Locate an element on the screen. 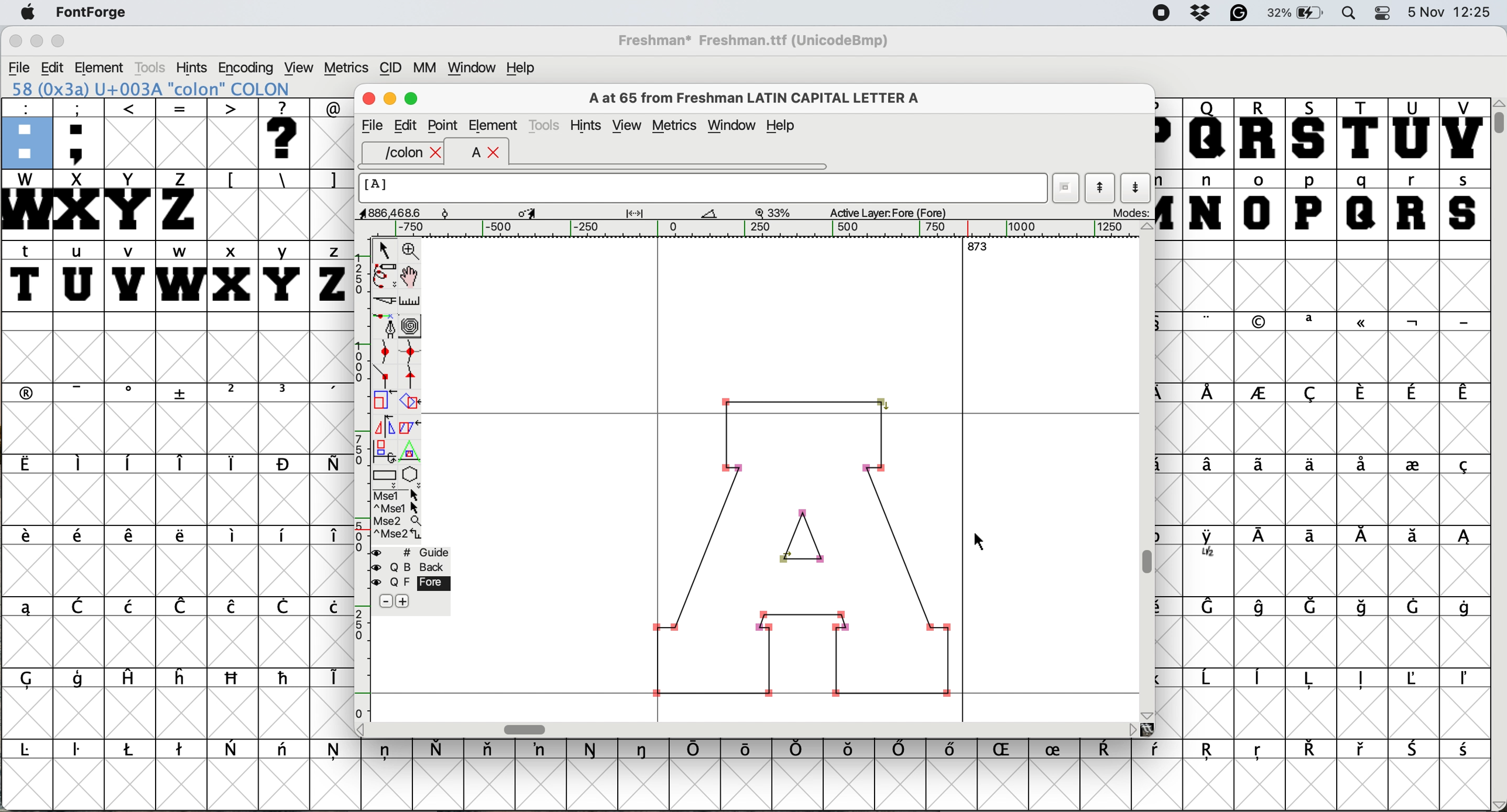 This screenshot has width=1507, height=812. metrics is located at coordinates (674, 125).